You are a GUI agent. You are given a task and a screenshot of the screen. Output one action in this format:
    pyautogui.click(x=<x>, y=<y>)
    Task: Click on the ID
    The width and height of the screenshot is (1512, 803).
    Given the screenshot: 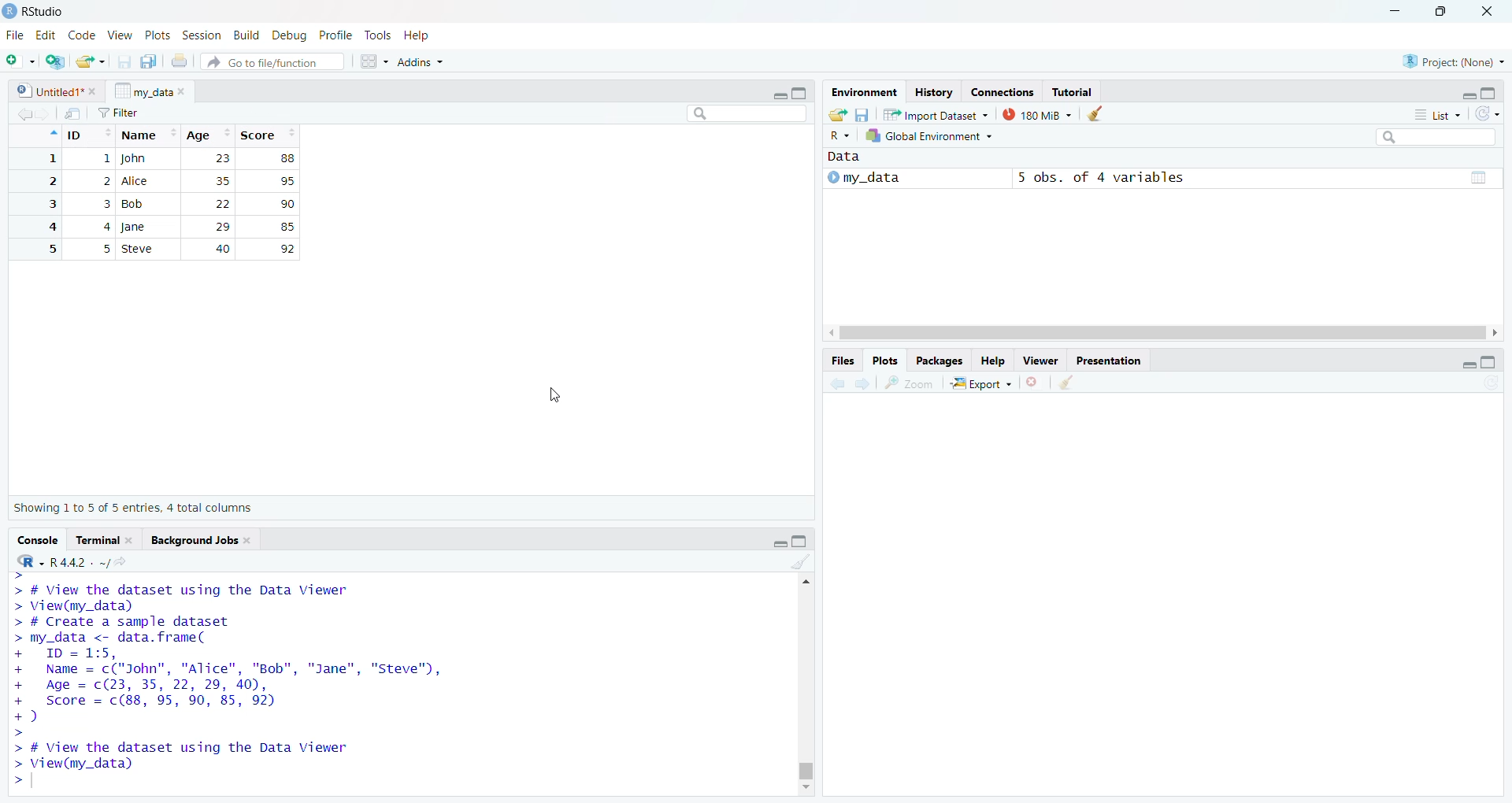 What is the action you would take?
    pyautogui.click(x=91, y=136)
    